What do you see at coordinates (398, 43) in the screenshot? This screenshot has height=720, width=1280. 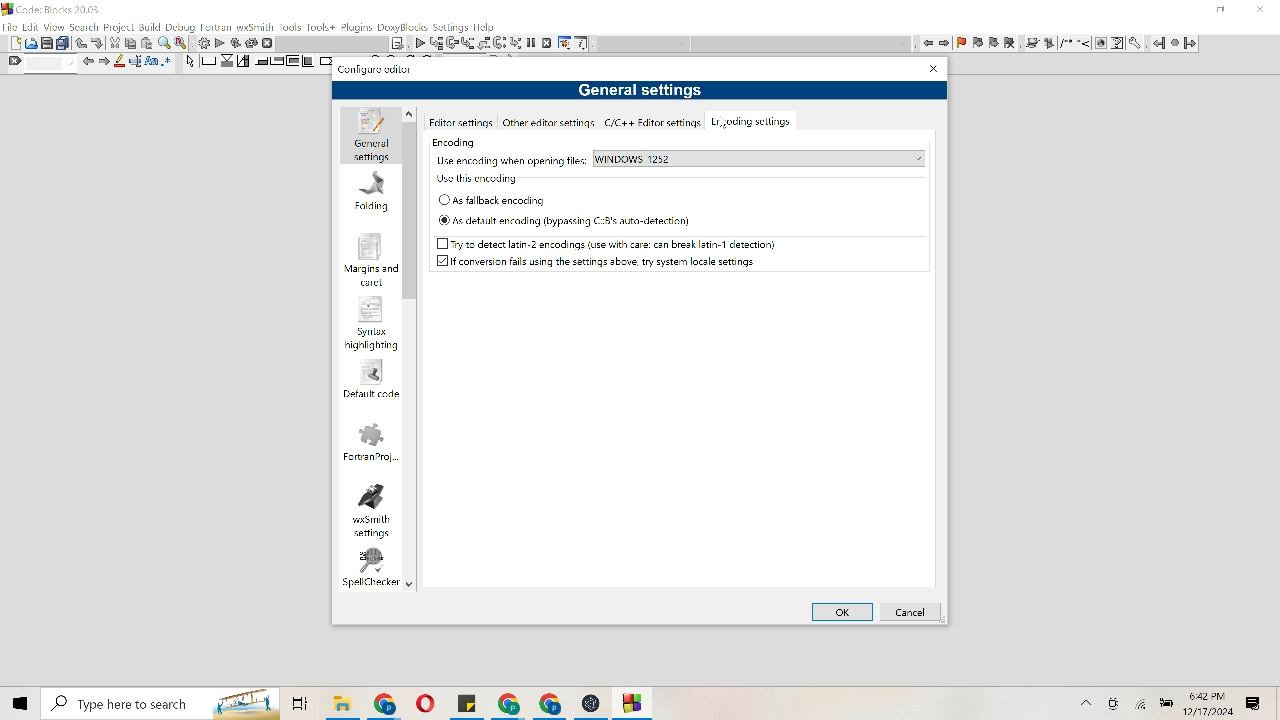 I see `Note` at bounding box center [398, 43].